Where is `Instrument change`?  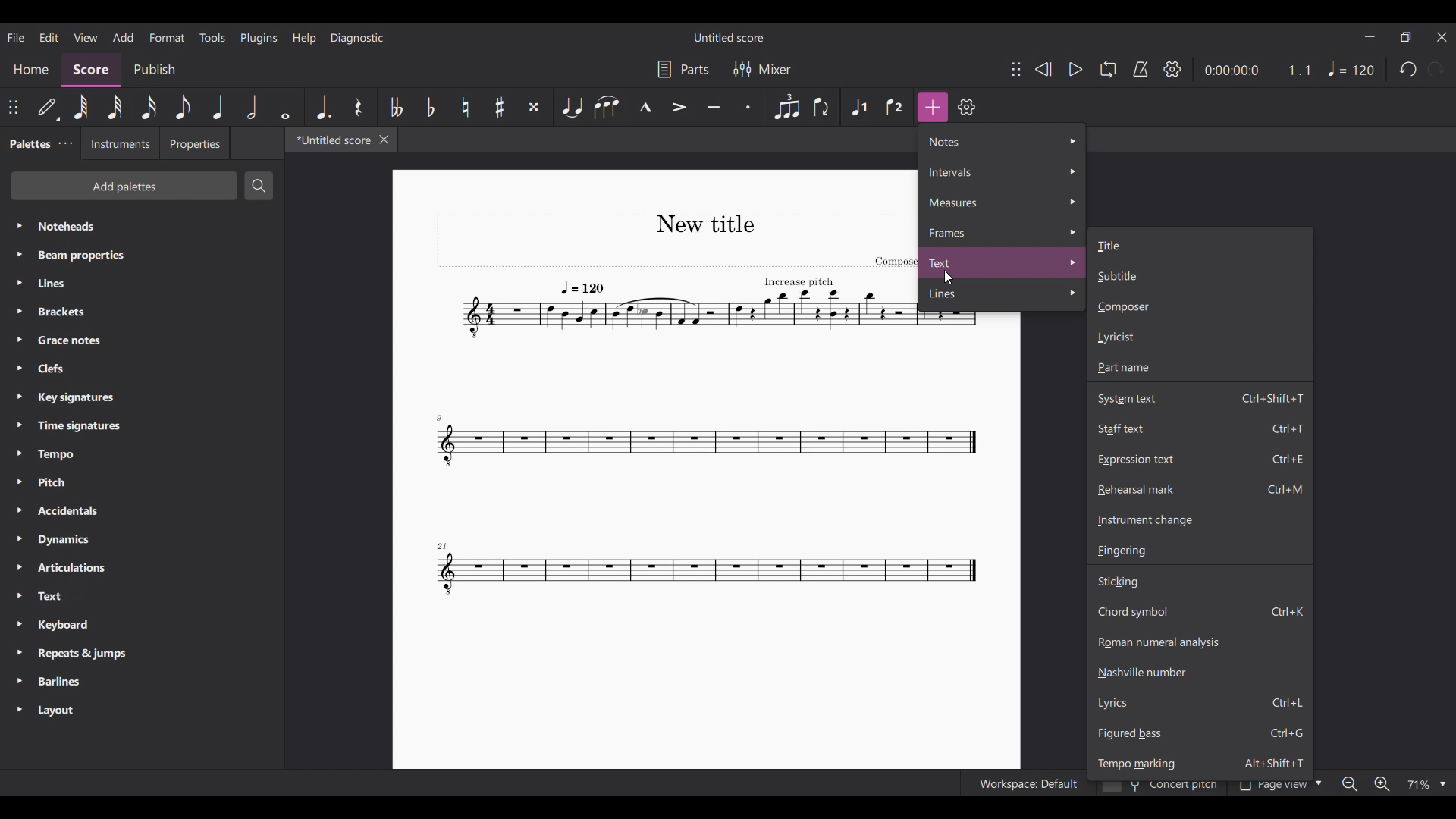
Instrument change is located at coordinates (1200, 519).